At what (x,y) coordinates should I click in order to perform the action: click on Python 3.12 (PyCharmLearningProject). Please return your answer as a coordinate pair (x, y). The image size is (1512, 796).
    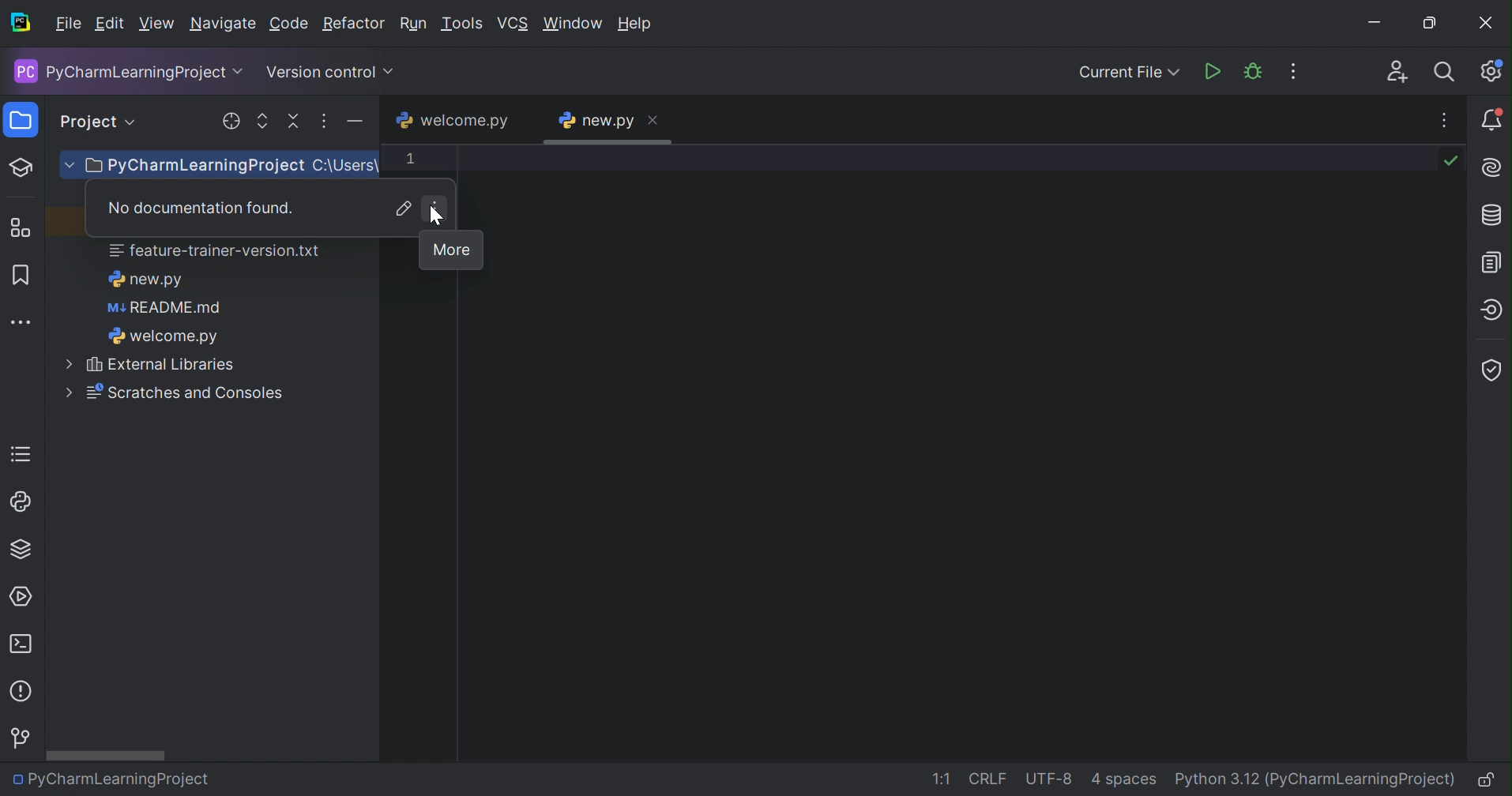
    Looking at the image, I should click on (1319, 779).